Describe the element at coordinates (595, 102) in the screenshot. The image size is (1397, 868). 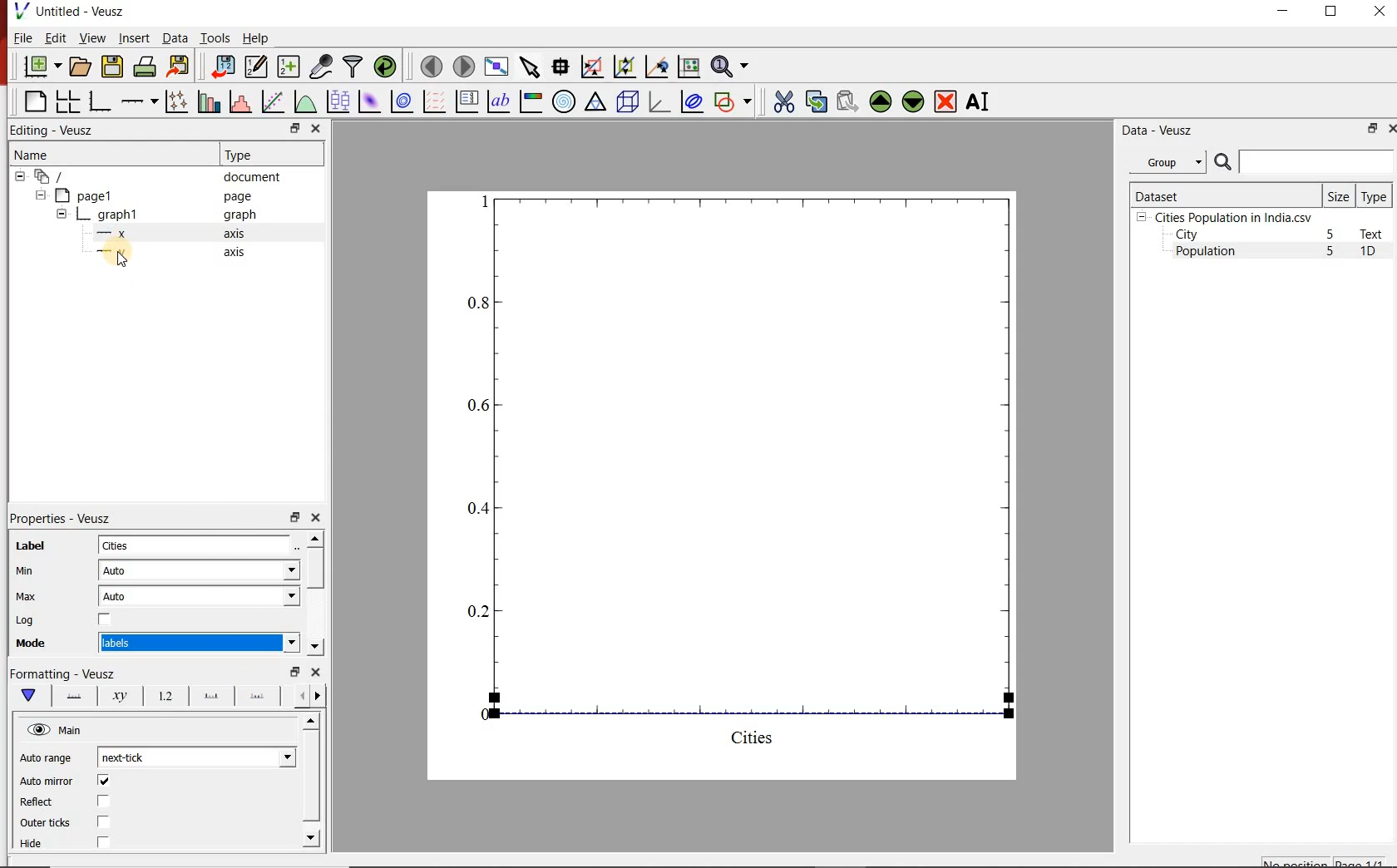
I see `Ternary graph` at that location.